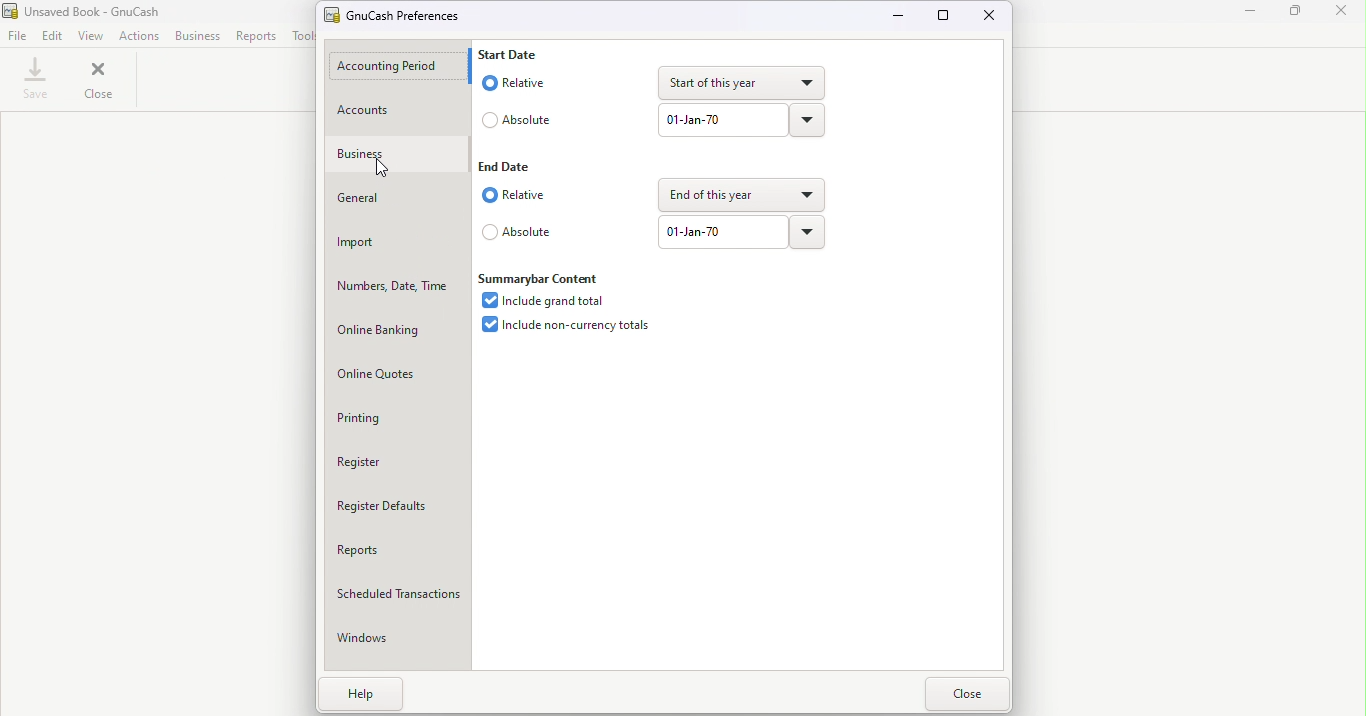 This screenshot has height=716, width=1366. I want to click on File name, so click(89, 11).